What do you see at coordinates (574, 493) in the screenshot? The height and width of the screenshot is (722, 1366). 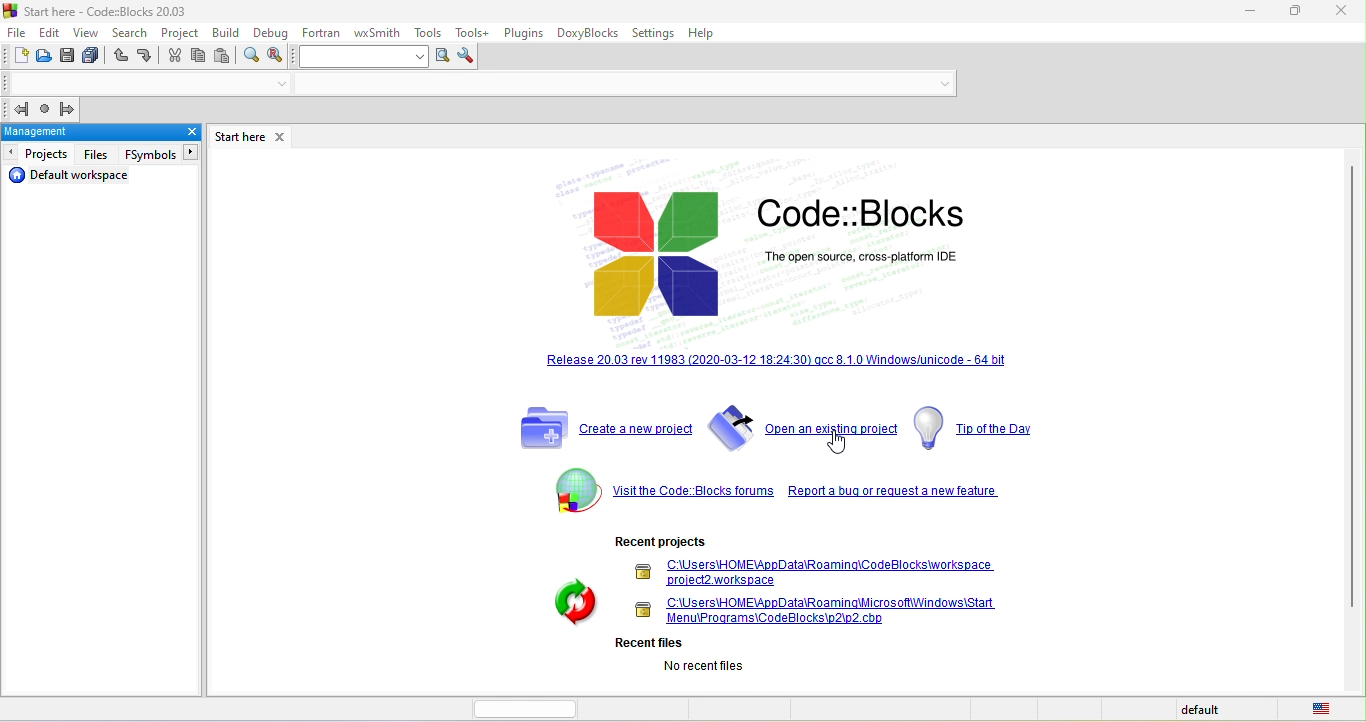 I see `image` at bounding box center [574, 493].